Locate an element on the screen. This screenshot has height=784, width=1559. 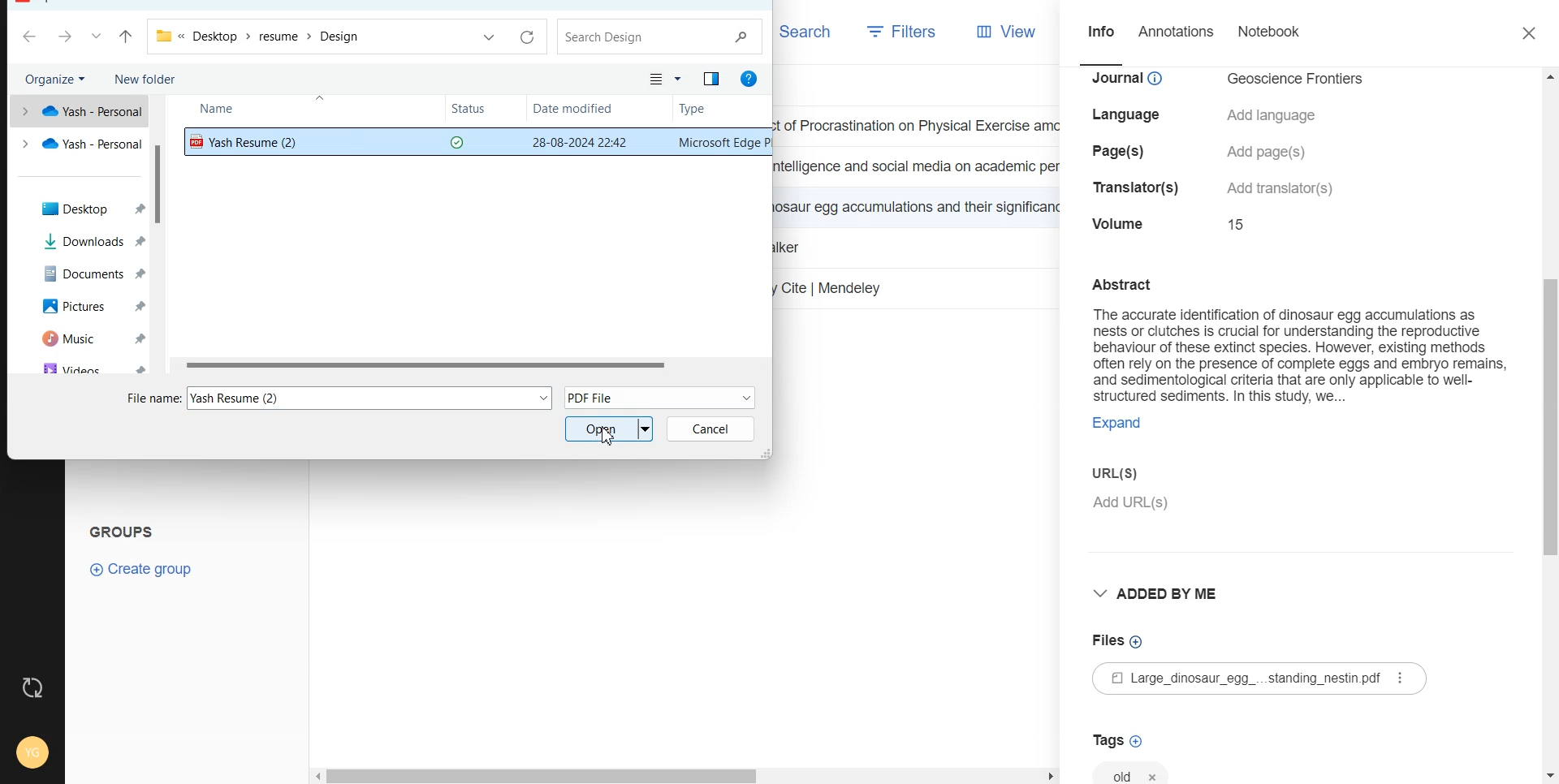
urls is located at coordinates (1112, 471).